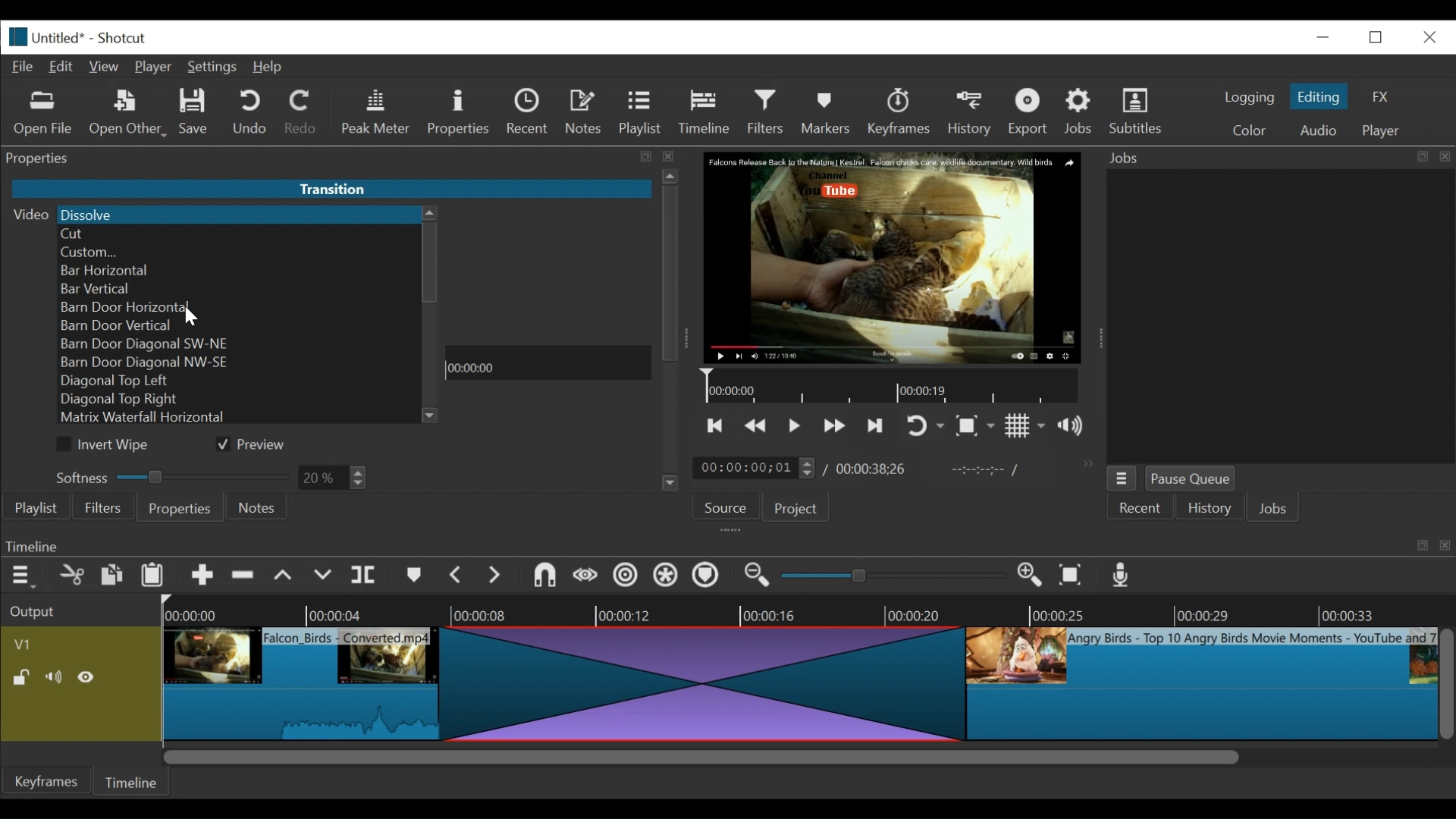 This screenshot has width=1456, height=819. Describe the element at coordinates (240, 382) in the screenshot. I see `Diagonal Top left ` at that location.